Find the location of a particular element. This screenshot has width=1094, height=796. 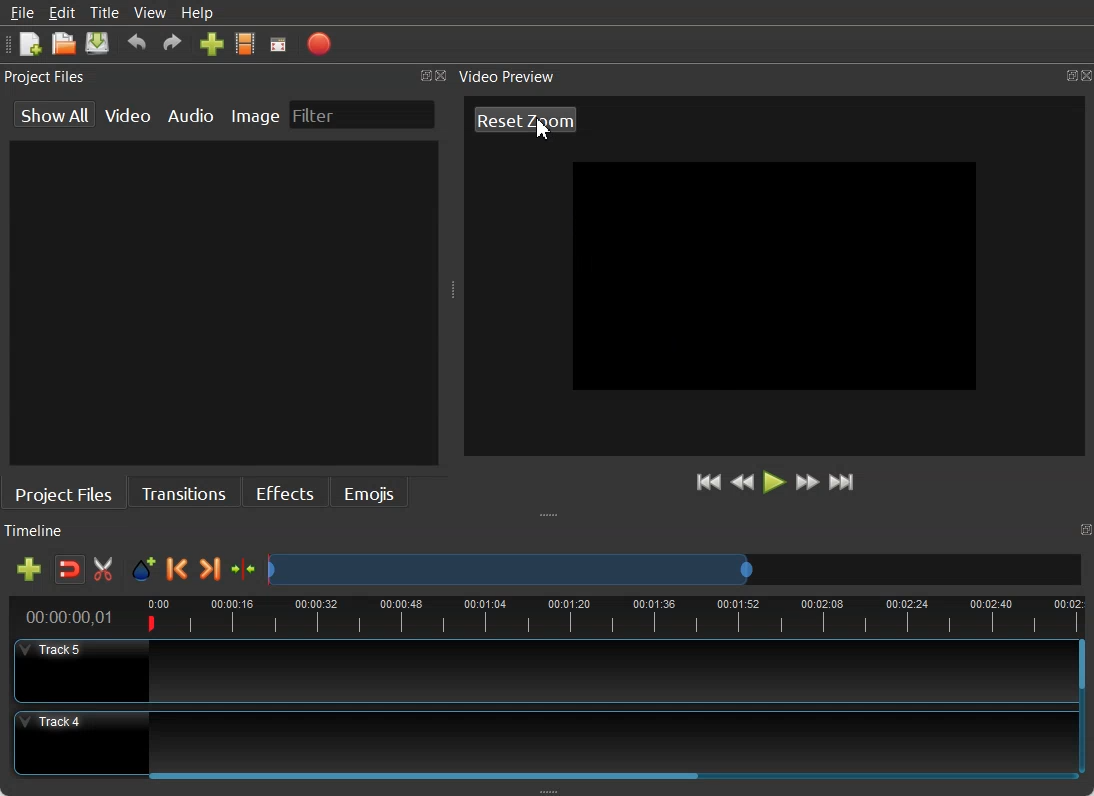

Maximize is located at coordinates (1072, 76).